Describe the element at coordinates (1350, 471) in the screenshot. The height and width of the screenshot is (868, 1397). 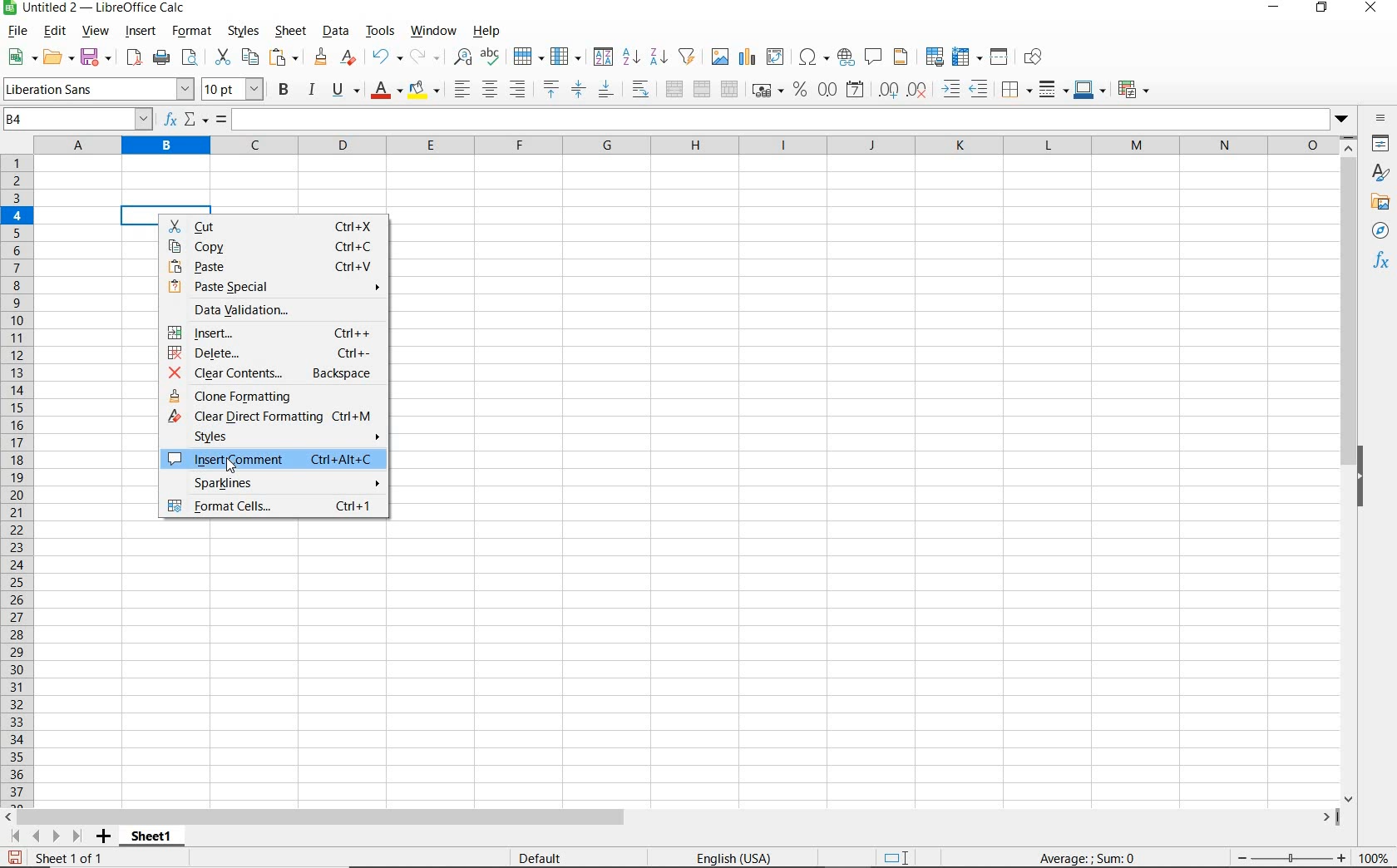
I see `scrollbar` at that location.